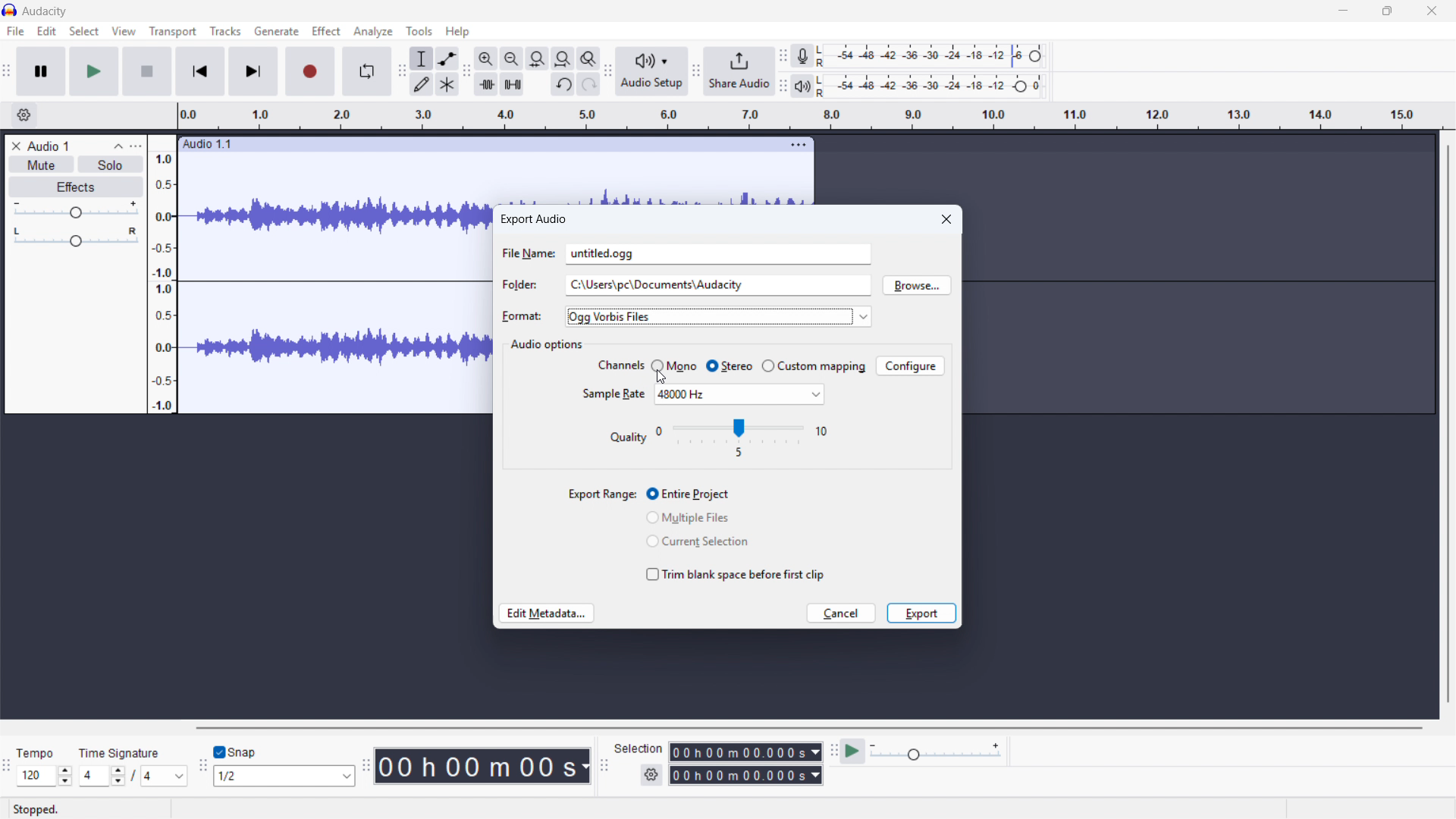  I want to click on channels, so click(620, 367).